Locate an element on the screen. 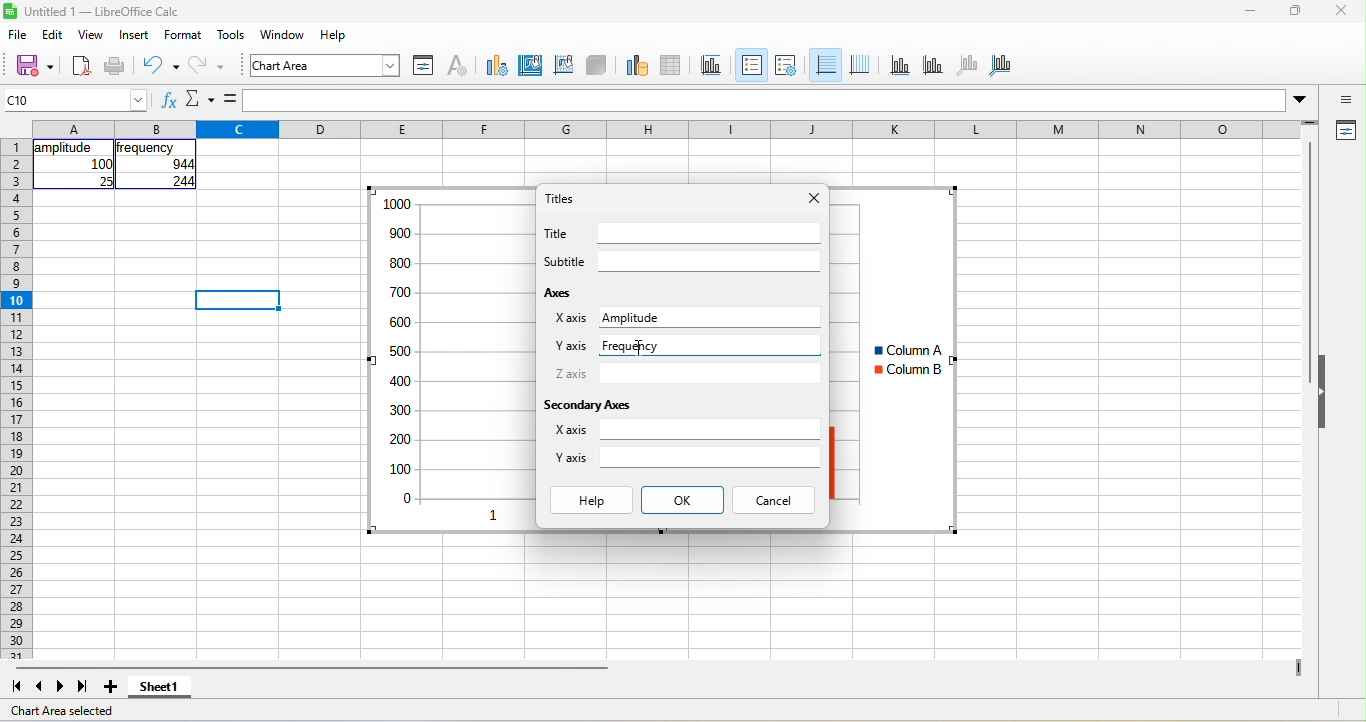 The height and width of the screenshot is (722, 1366). vertical grids is located at coordinates (860, 66).